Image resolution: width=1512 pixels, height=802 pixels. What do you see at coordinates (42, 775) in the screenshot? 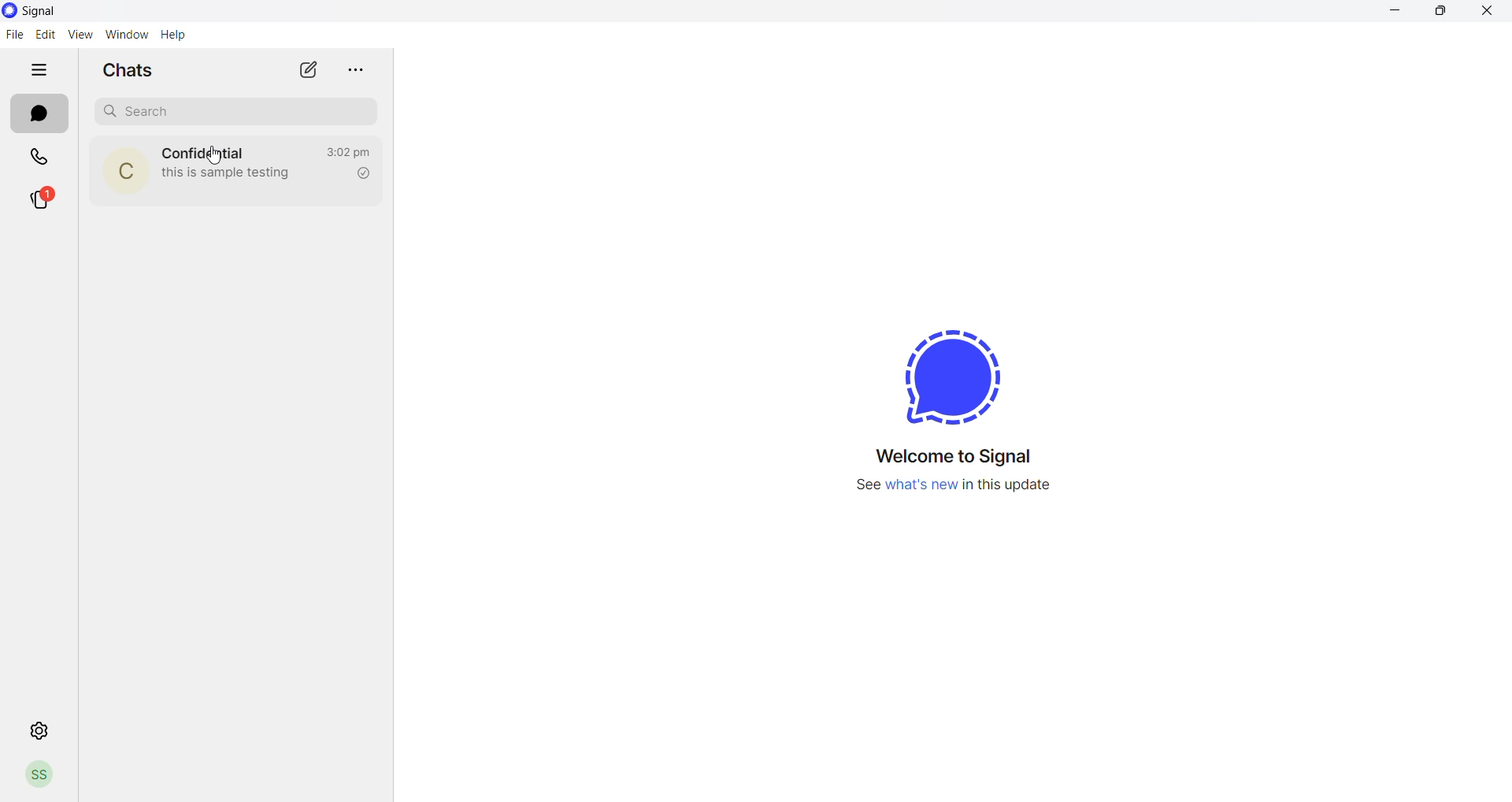
I see `profile` at bounding box center [42, 775].